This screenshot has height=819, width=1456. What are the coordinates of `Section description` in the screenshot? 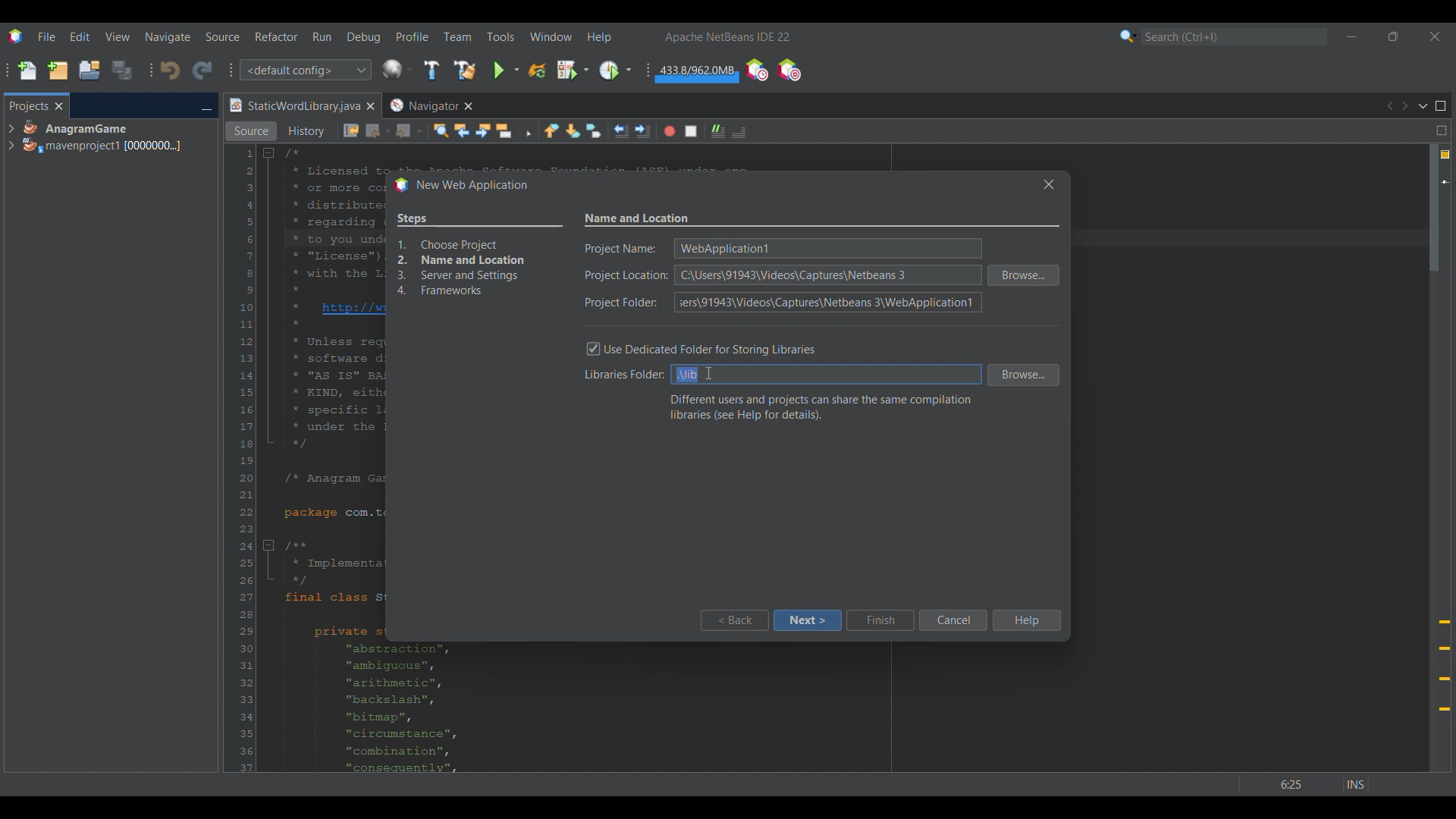 It's located at (821, 407).